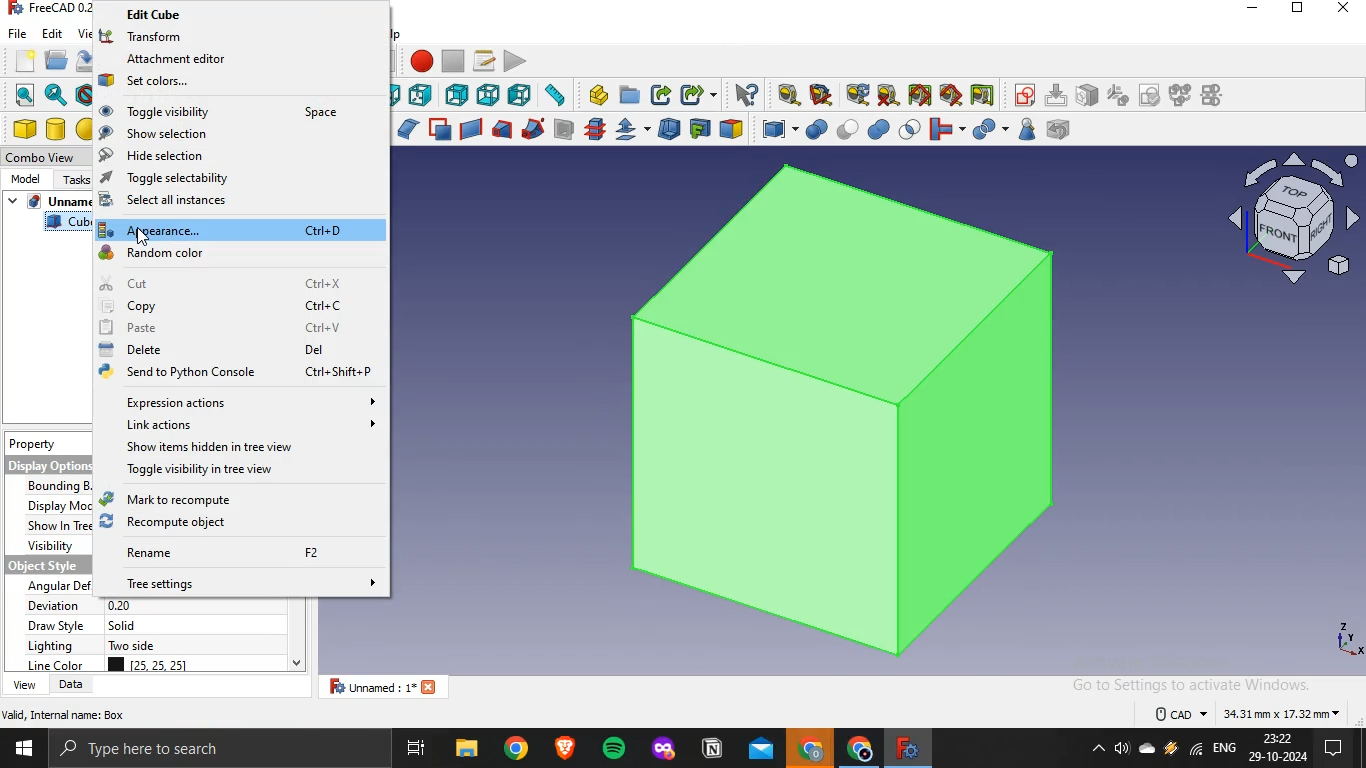  Describe the element at coordinates (24, 58) in the screenshot. I see `new file` at that location.